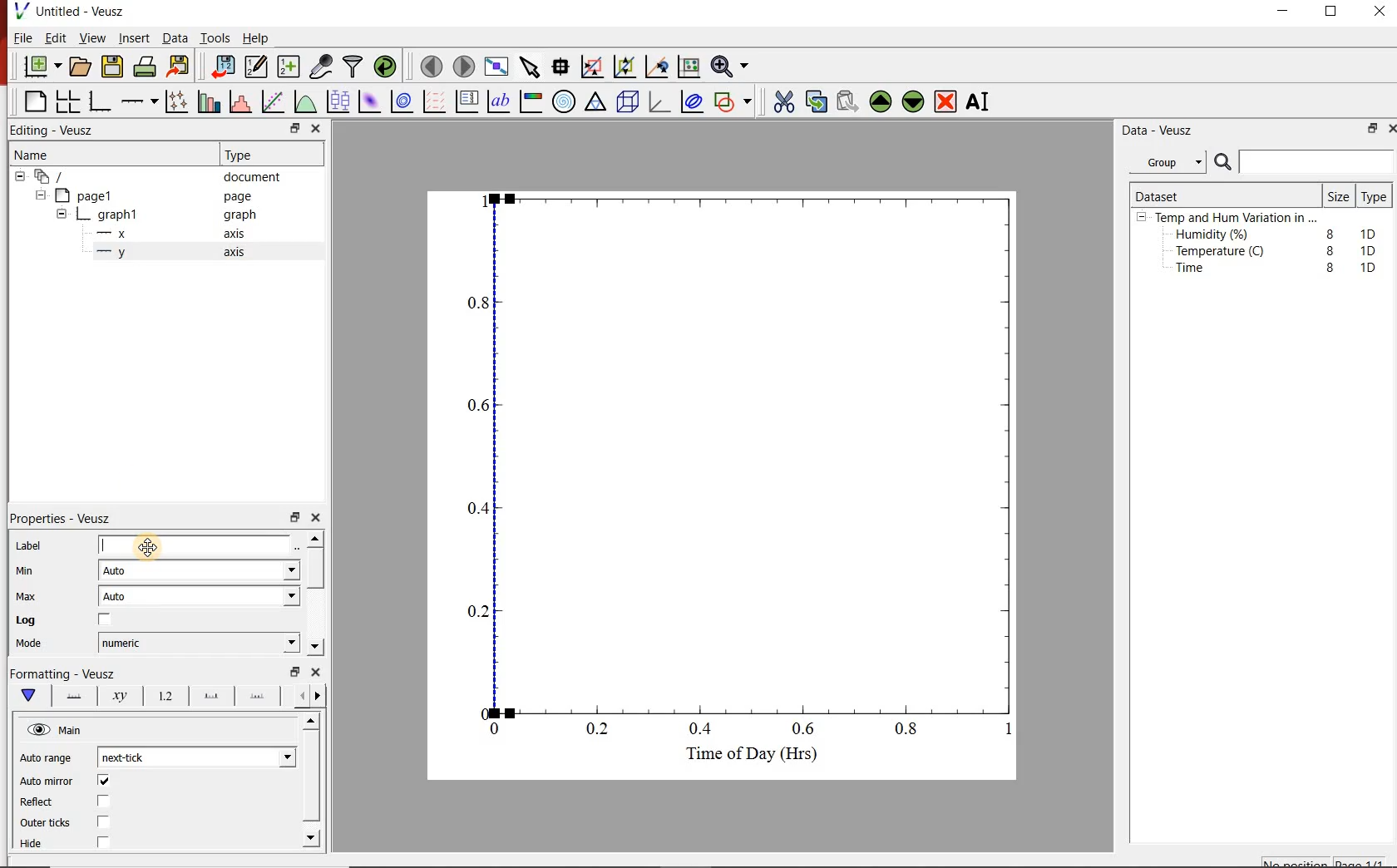 The width and height of the screenshot is (1397, 868). What do you see at coordinates (272, 643) in the screenshot?
I see `Mode dropdown` at bounding box center [272, 643].